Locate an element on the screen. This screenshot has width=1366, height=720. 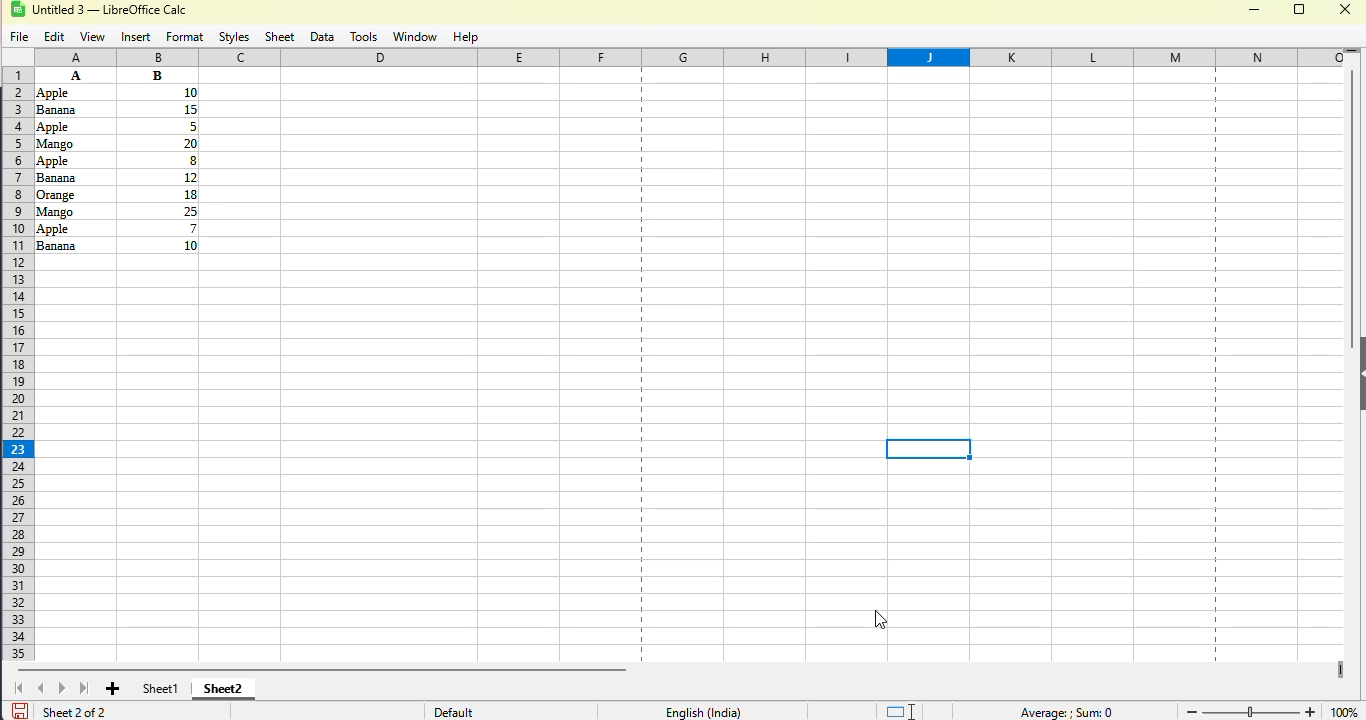
format is located at coordinates (185, 37).